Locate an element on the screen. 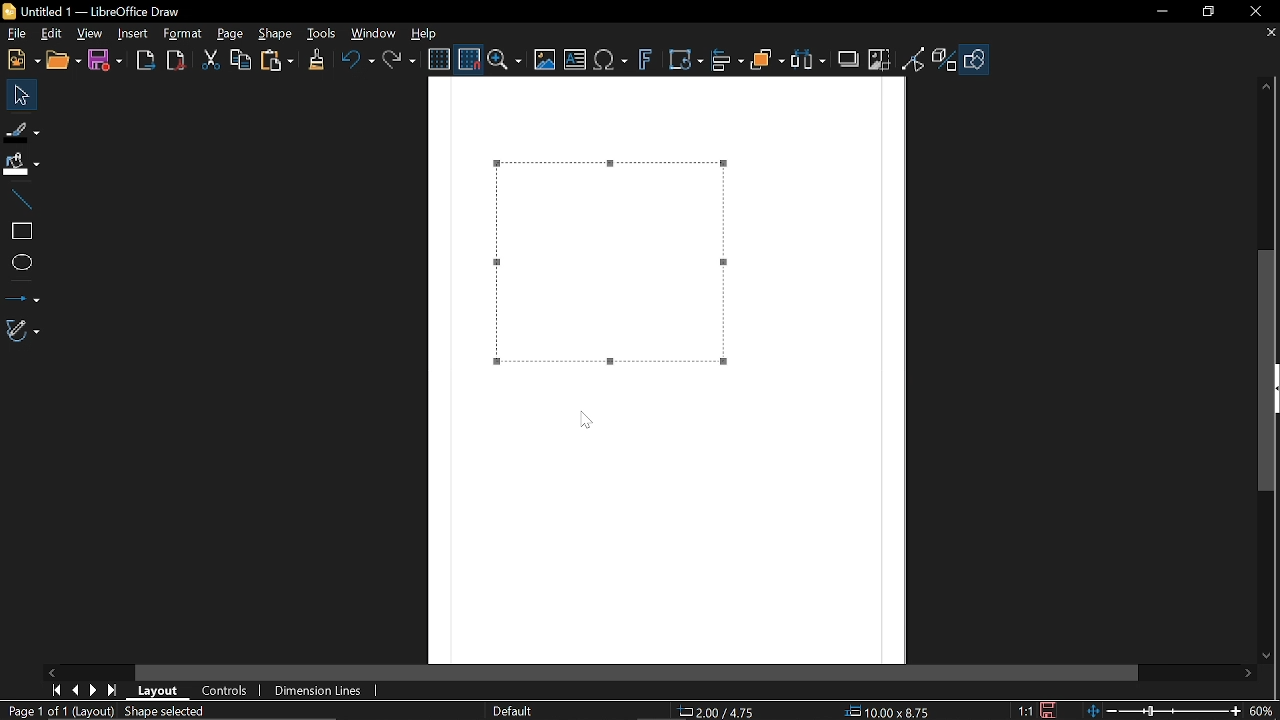 The width and height of the screenshot is (1280, 720). Window is located at coordinates (374, 32).